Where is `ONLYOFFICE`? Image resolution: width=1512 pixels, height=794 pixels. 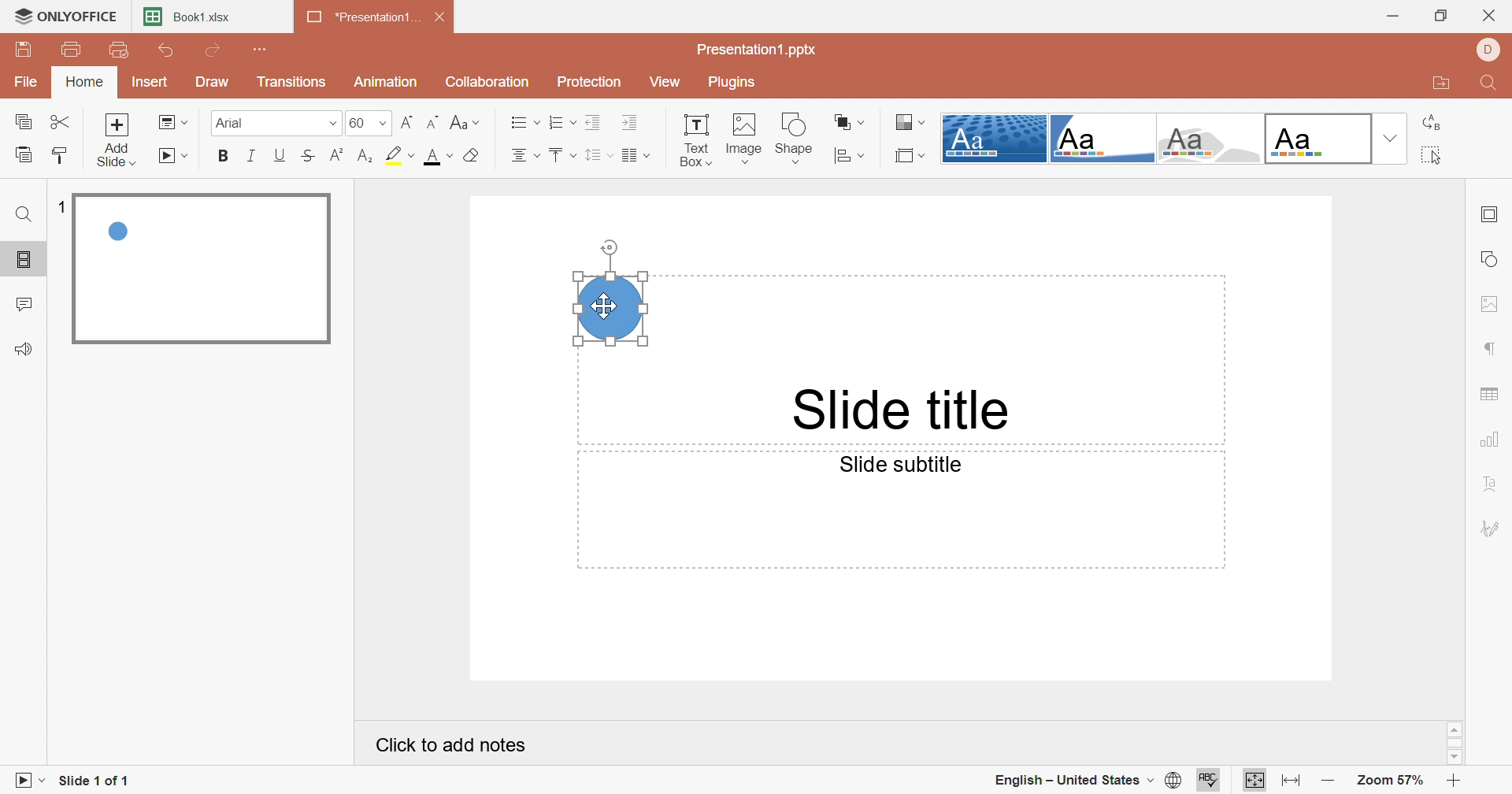
ONLYOFFICE is located at coordinates (65, 13).